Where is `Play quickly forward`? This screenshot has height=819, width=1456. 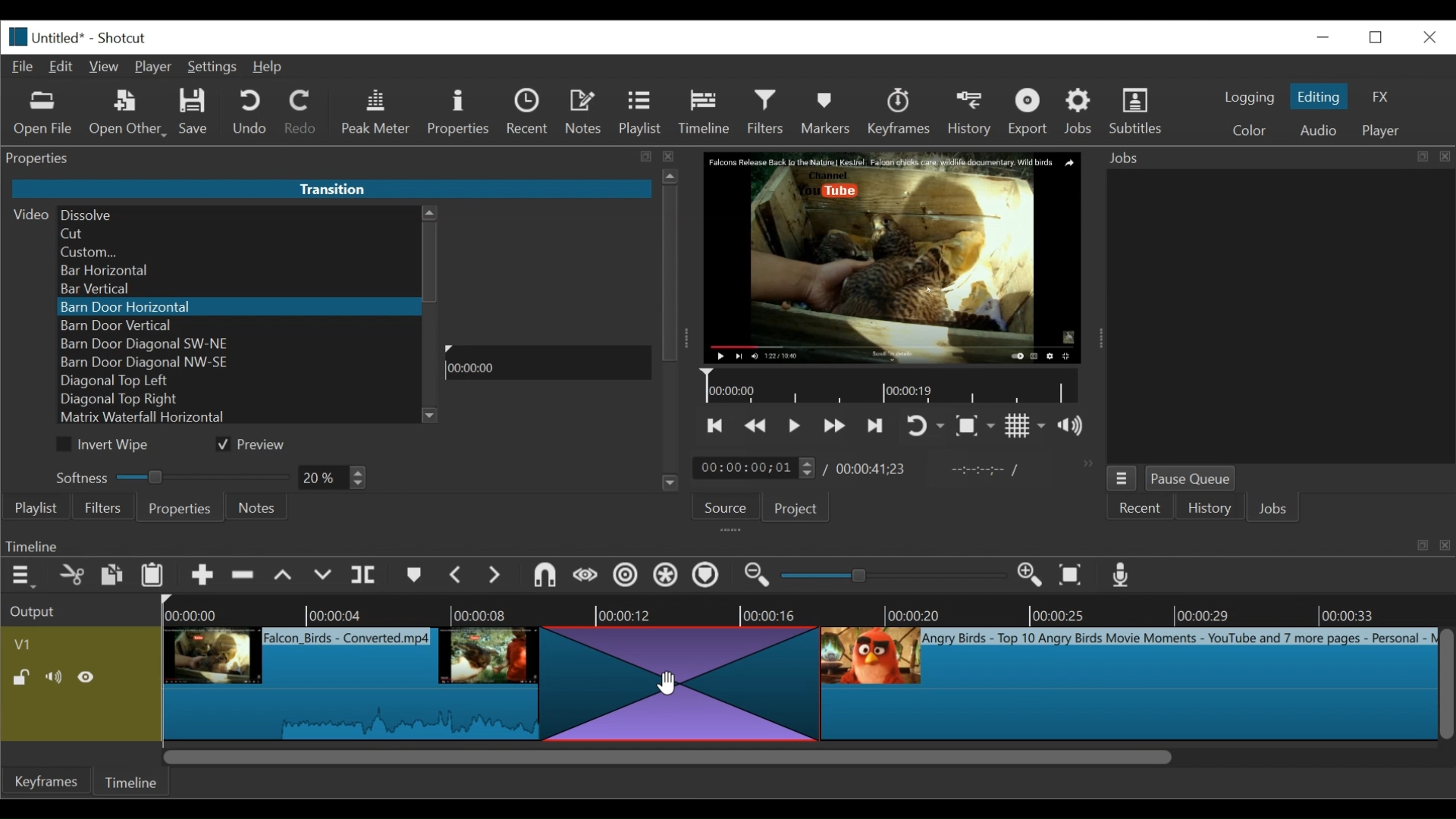
Play quickly forward is located at coordinates (834, 425).